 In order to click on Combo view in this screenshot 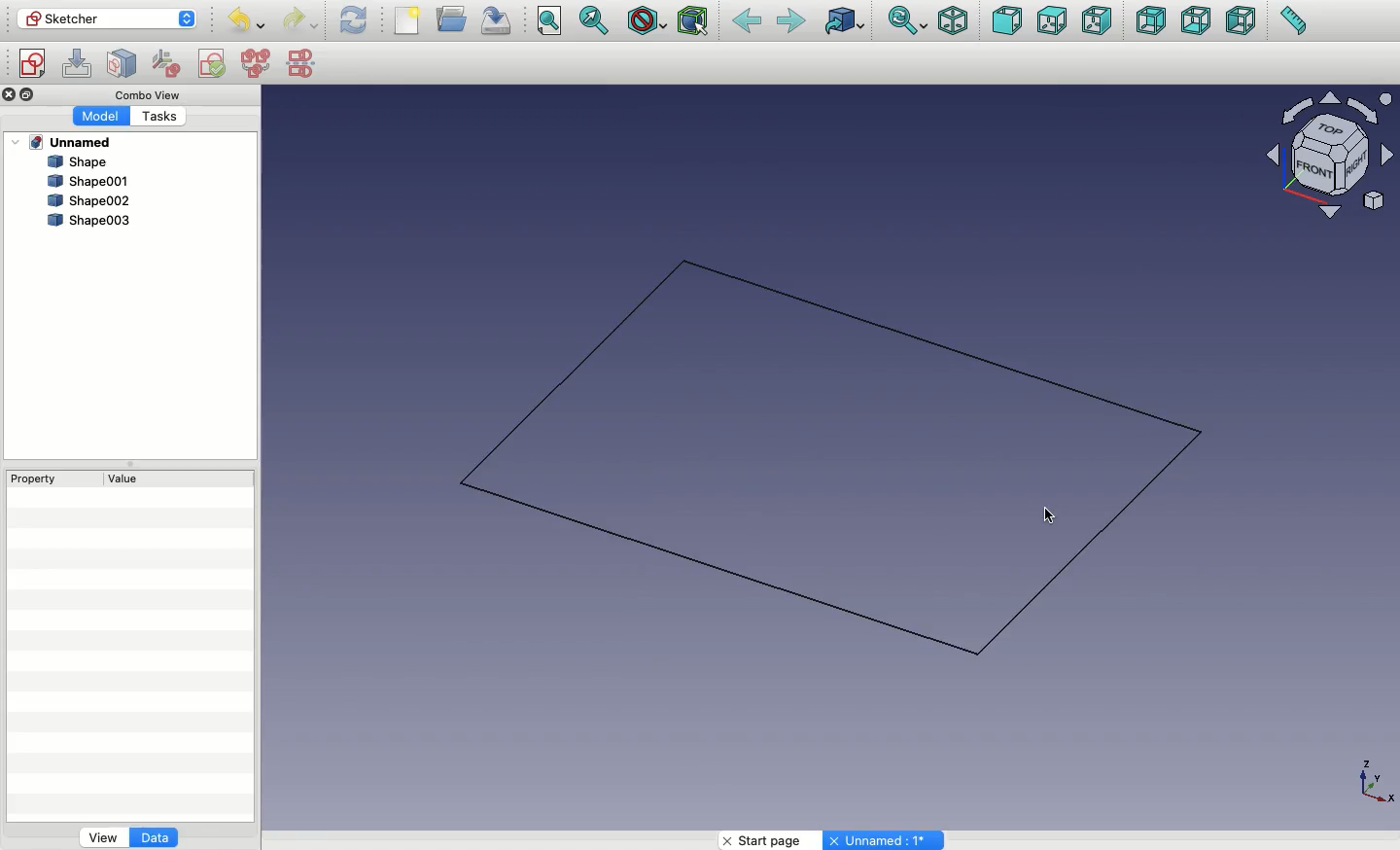, I will do `click(147, 96)`.